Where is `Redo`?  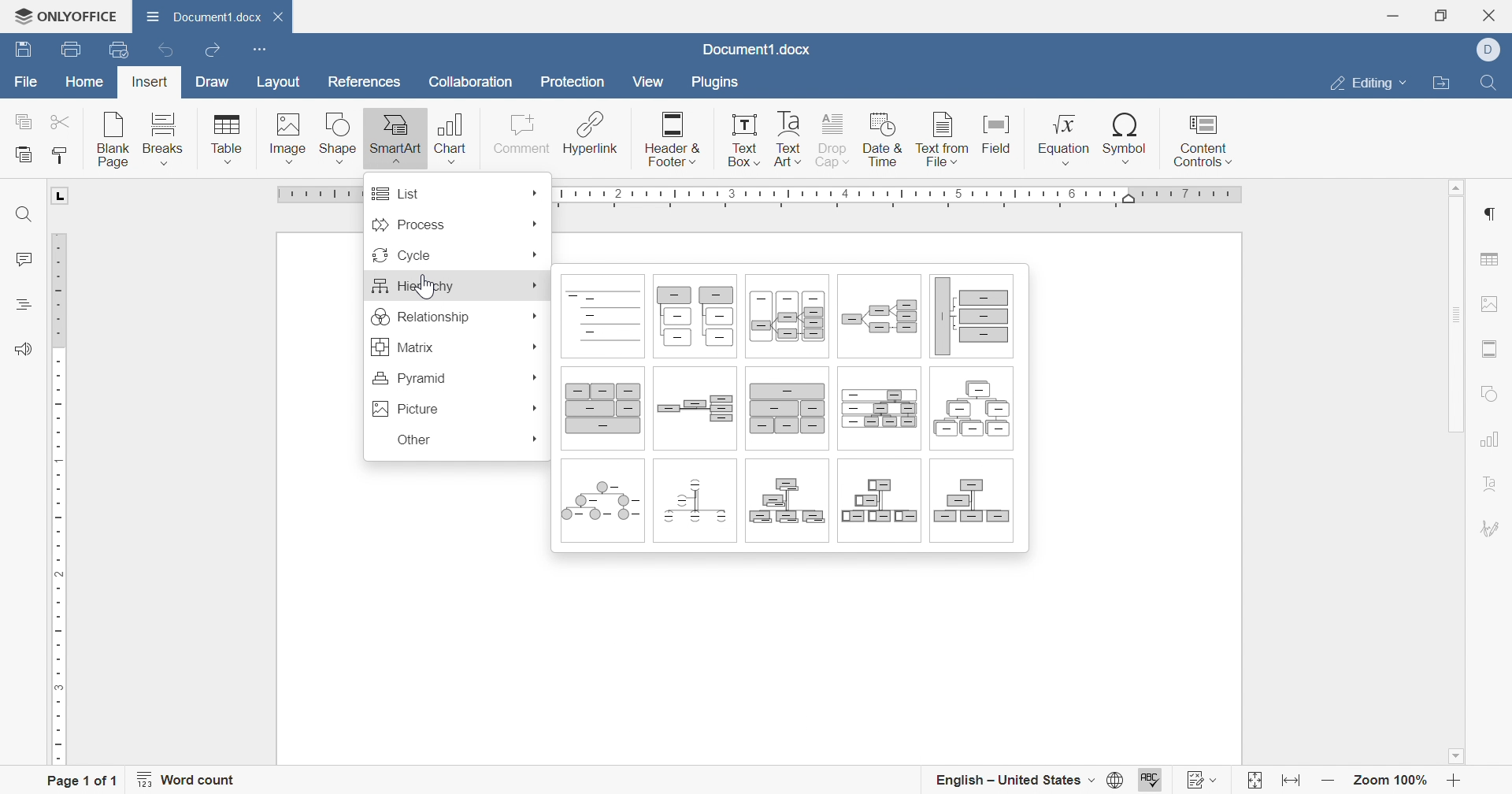 Redo is located at coordinates (213, 50).